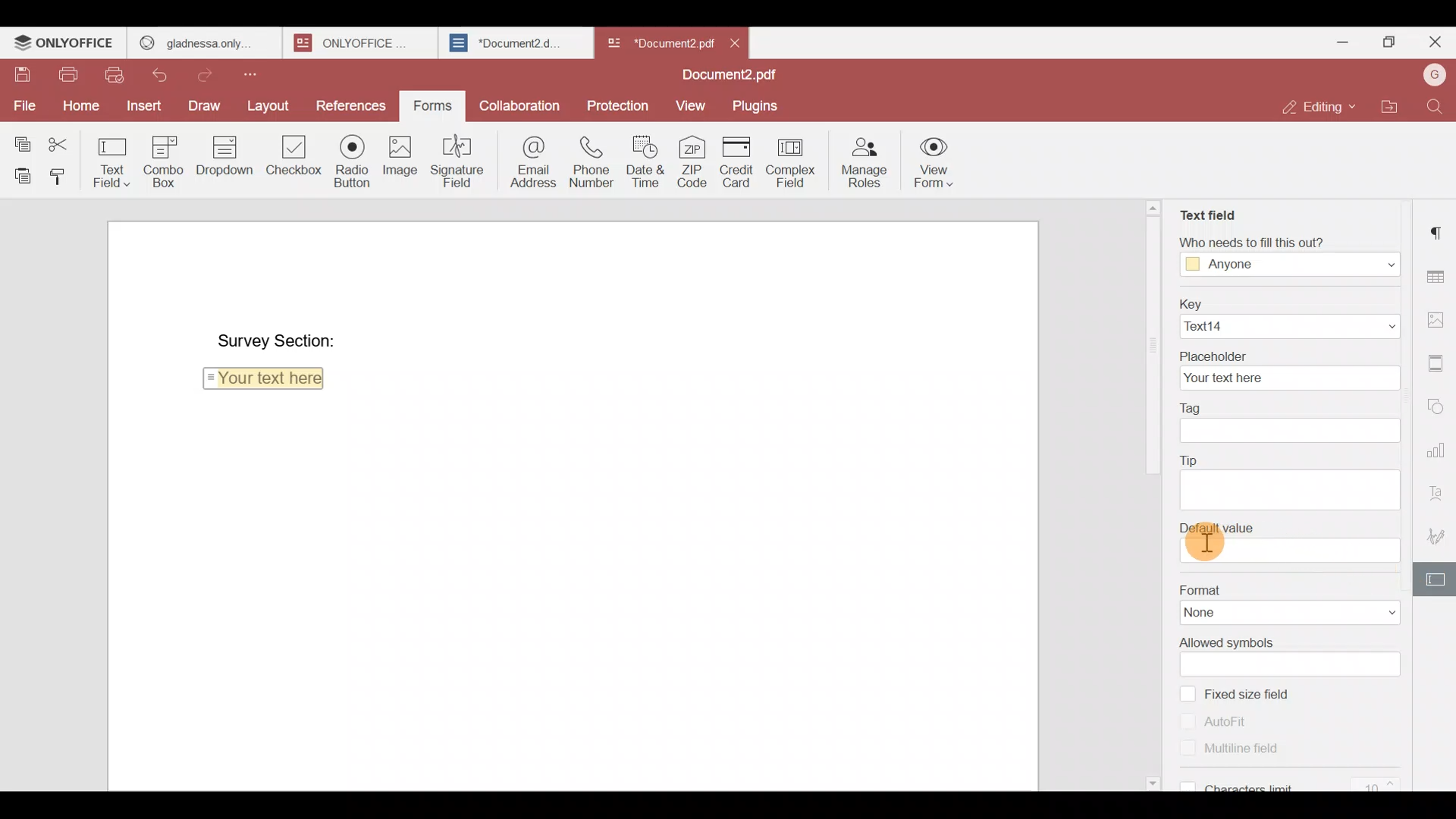  Describe the element at coordinates (1250, 754) in the screenshot. I see `Multiline field` at that location.